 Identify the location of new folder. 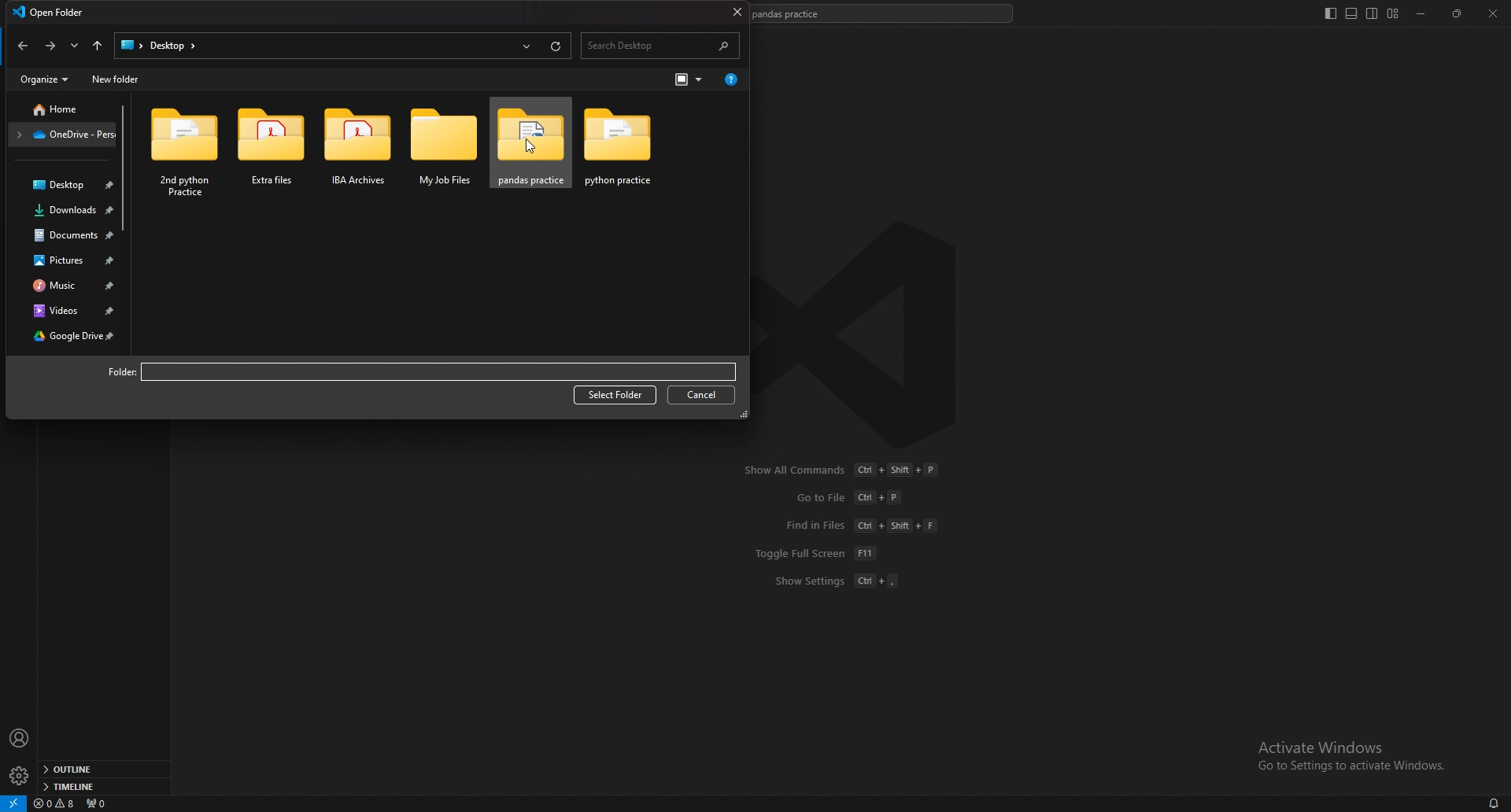
(118, 78).